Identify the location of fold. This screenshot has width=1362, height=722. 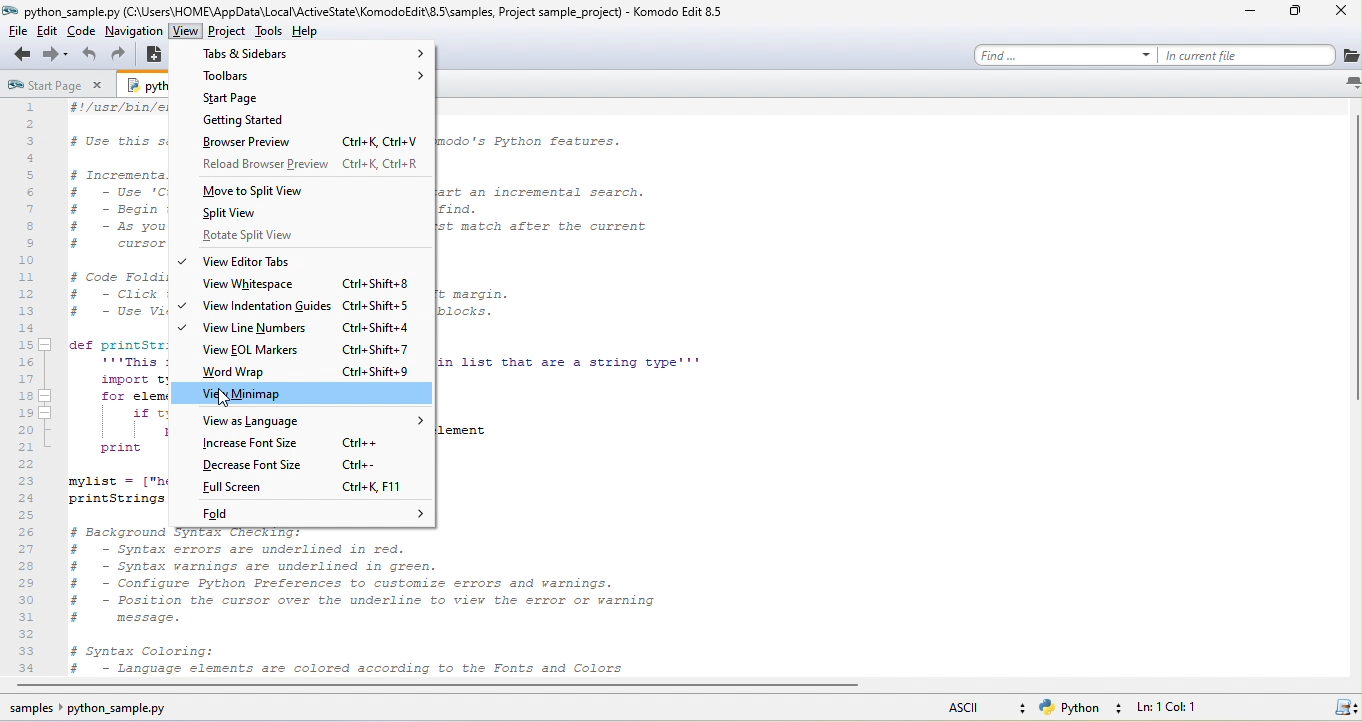
(310, 517).